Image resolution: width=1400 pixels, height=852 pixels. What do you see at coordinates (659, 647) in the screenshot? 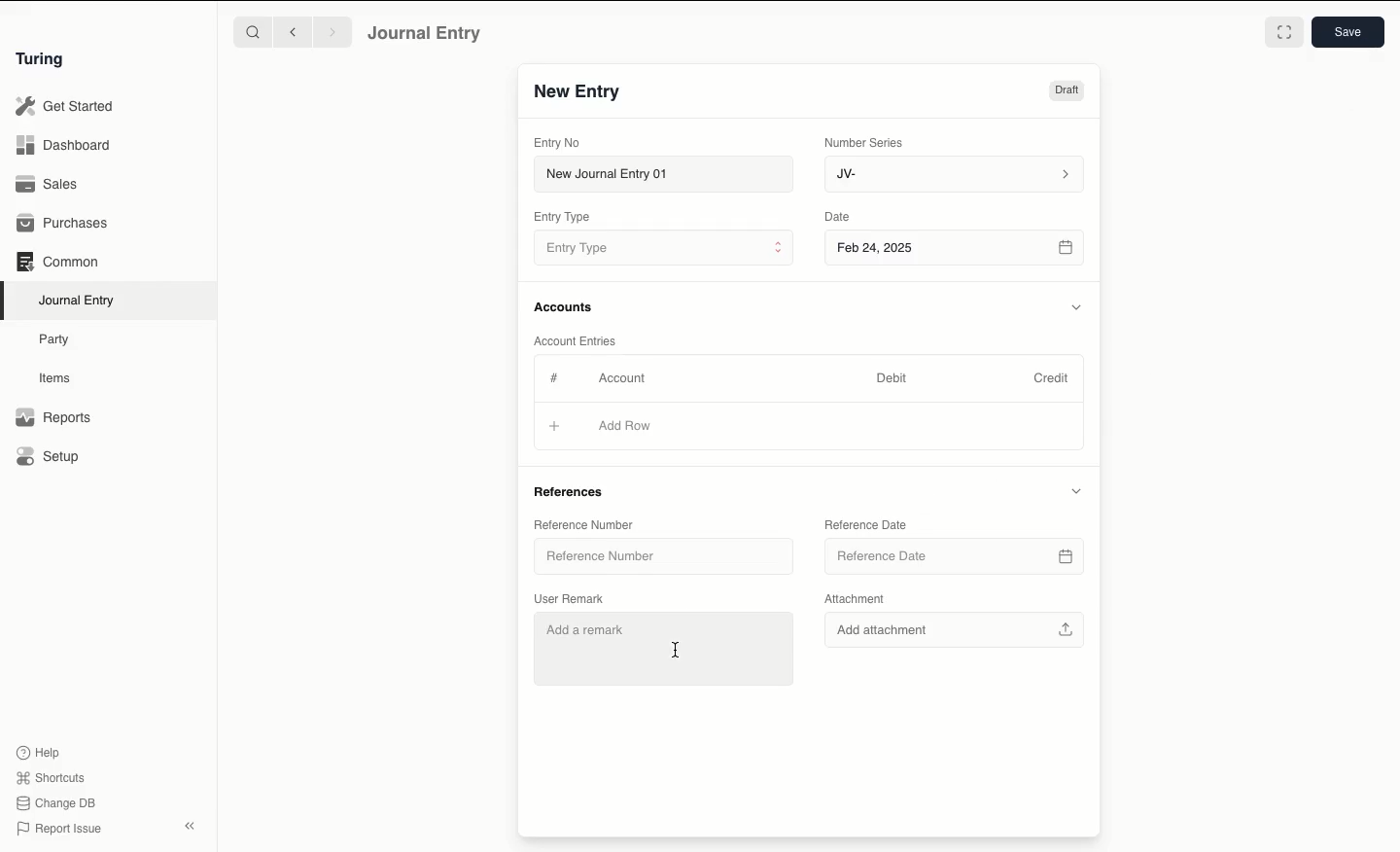
I see `Add a remark` at bounding box center [659, 647].